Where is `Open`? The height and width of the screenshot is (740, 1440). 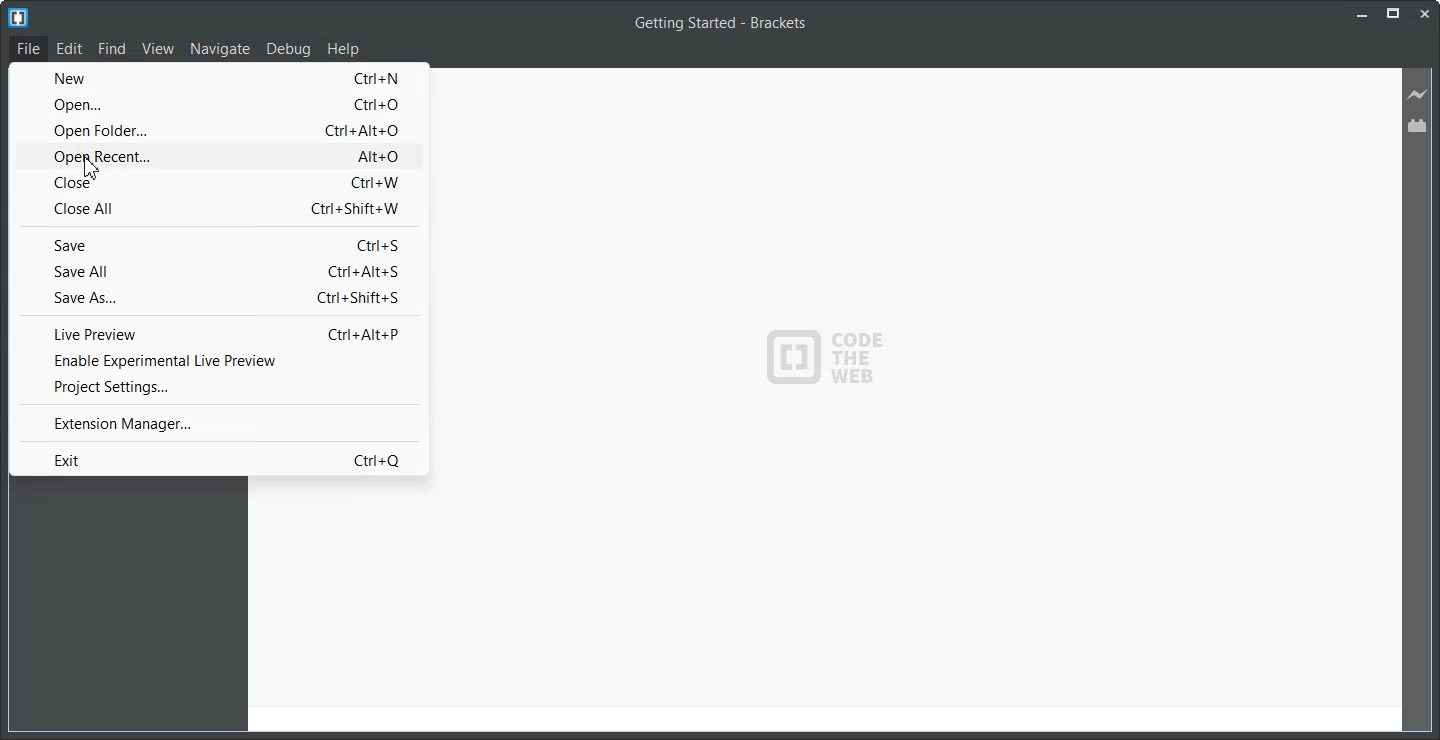
Open is located at coordinates (215, 103).